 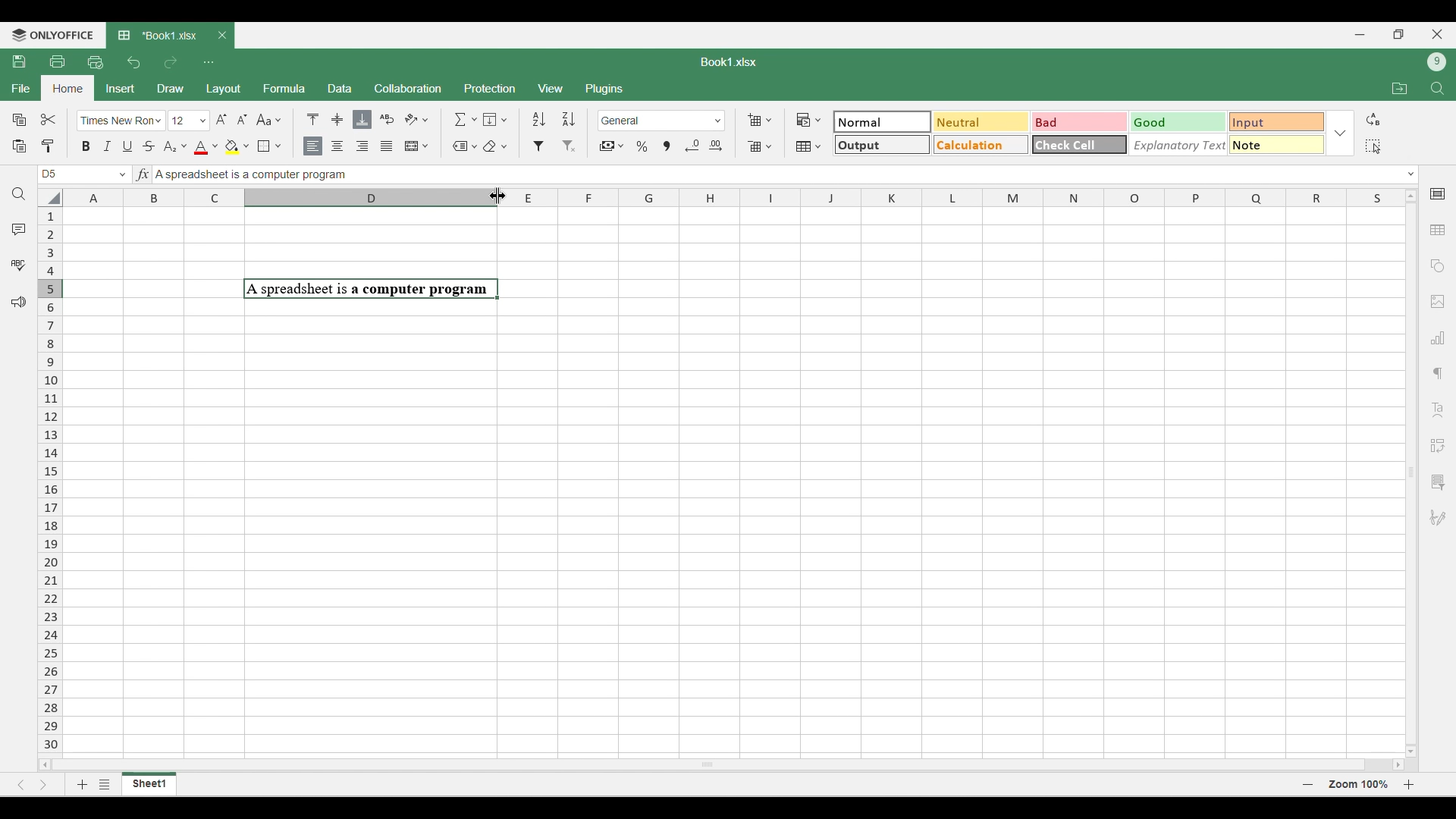 I want to click on Italics, so click(x=107, y=146).